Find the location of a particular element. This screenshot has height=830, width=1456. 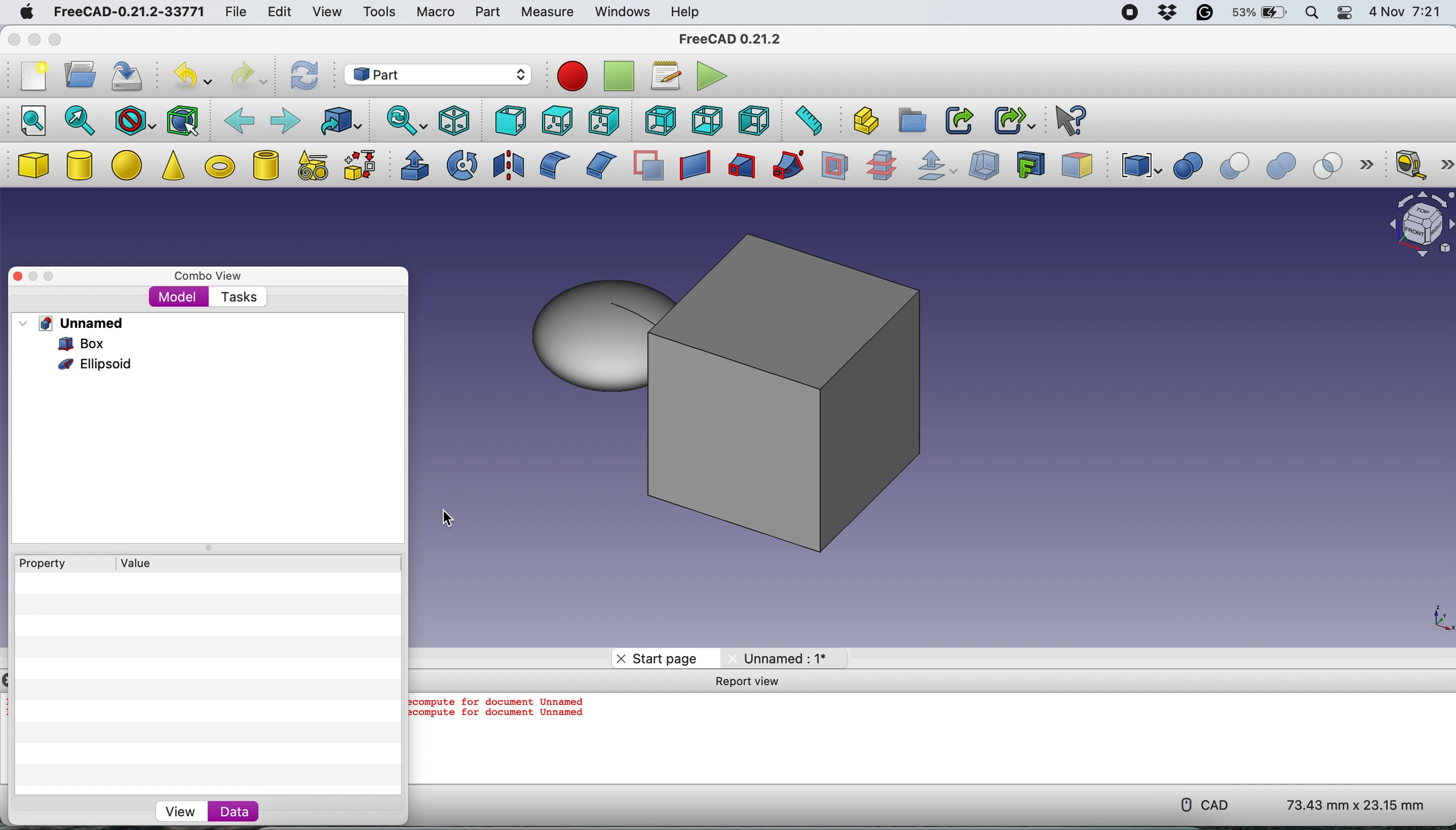

tasks is located at coordinates (236, 297).